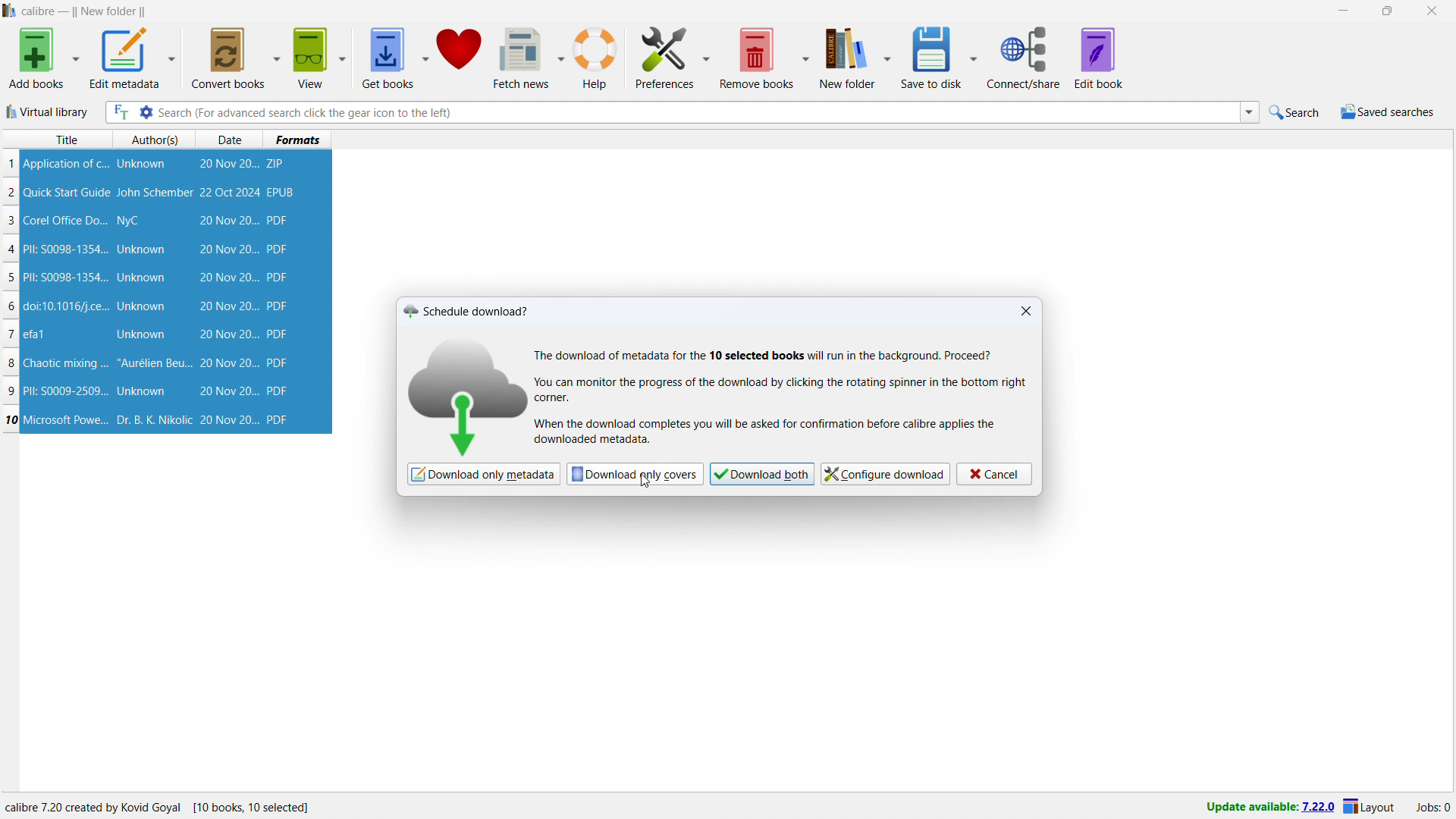 The height and width of the screenshot is (819, 1456). I want to click on close, so click(1431, 11).